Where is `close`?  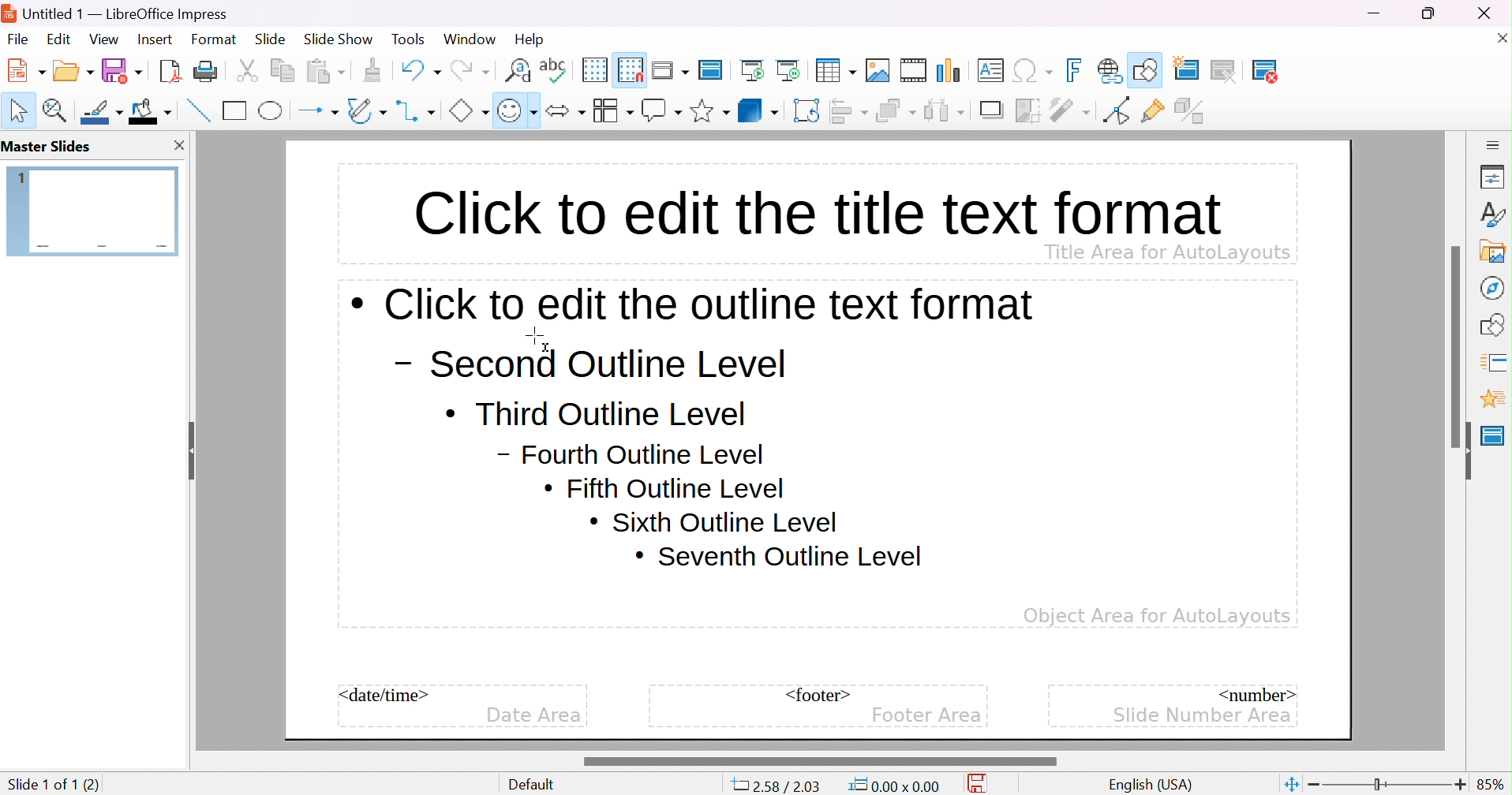 close is located at coordinates (1493, 13).